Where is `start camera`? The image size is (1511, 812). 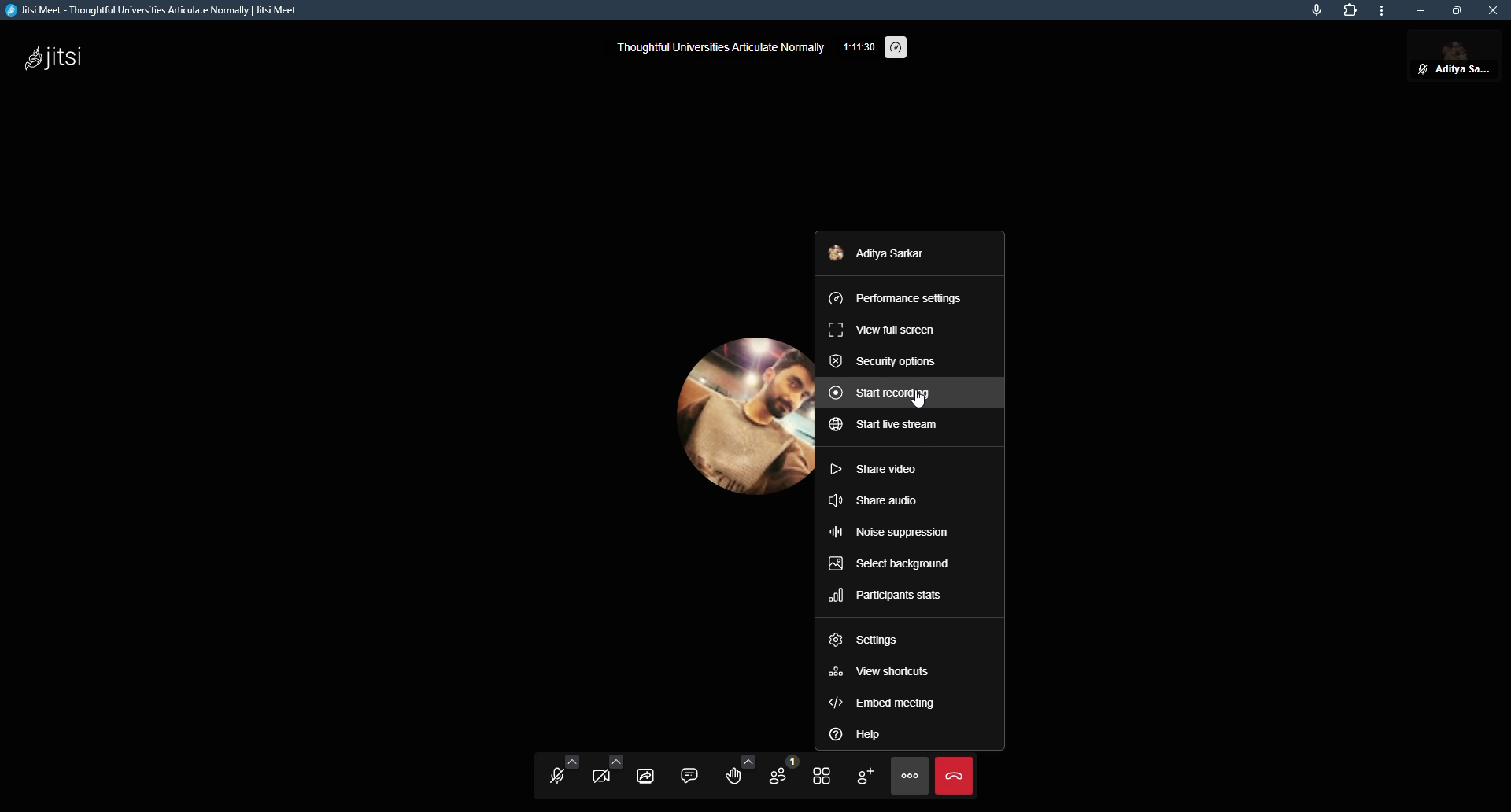 start camera is located at coordinates (604, 779).